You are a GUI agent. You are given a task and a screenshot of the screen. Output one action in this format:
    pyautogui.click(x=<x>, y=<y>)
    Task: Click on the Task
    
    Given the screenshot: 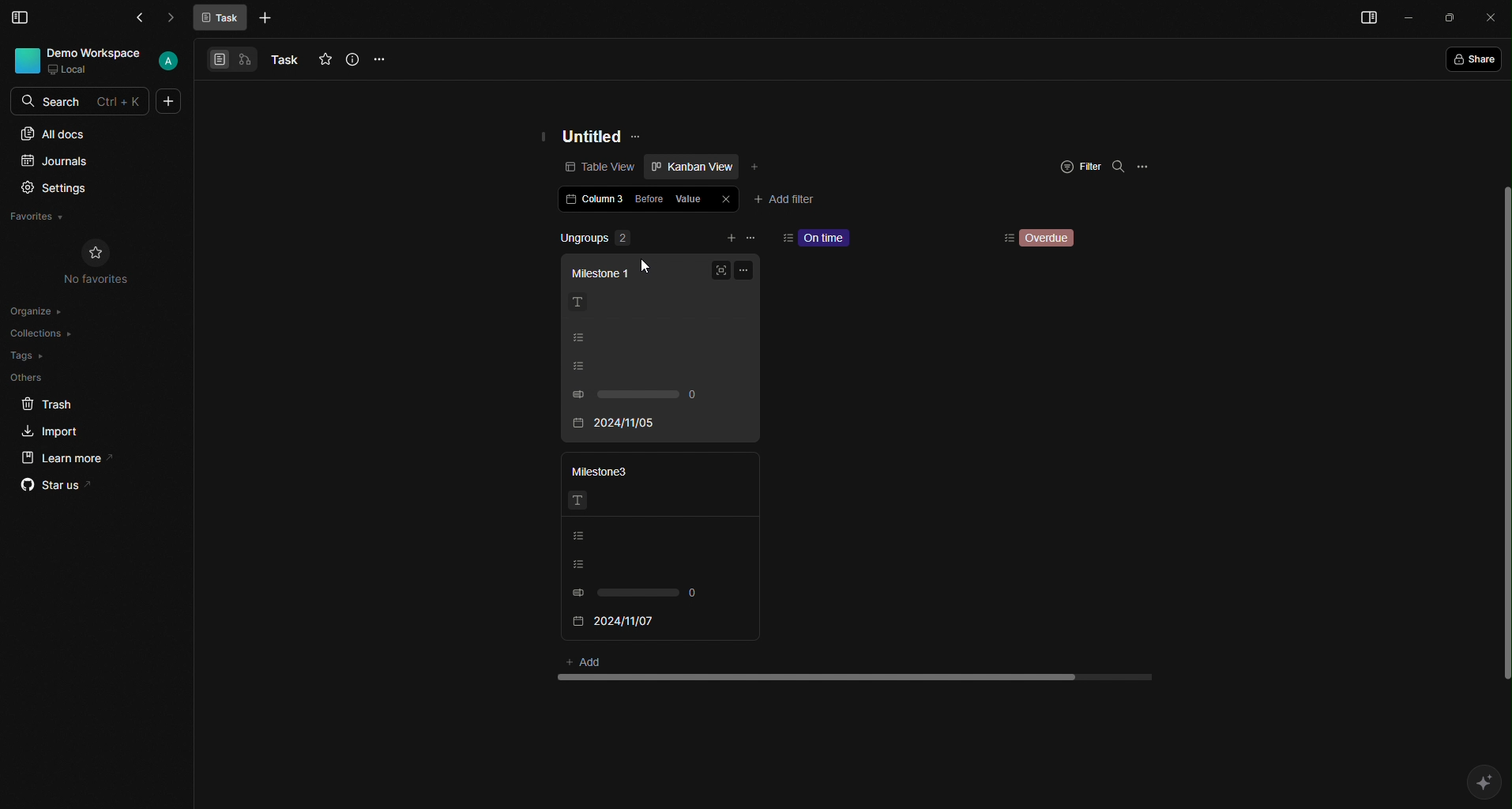 What is the action you would take?
    pyautogui.click(x=220, y=18)
    